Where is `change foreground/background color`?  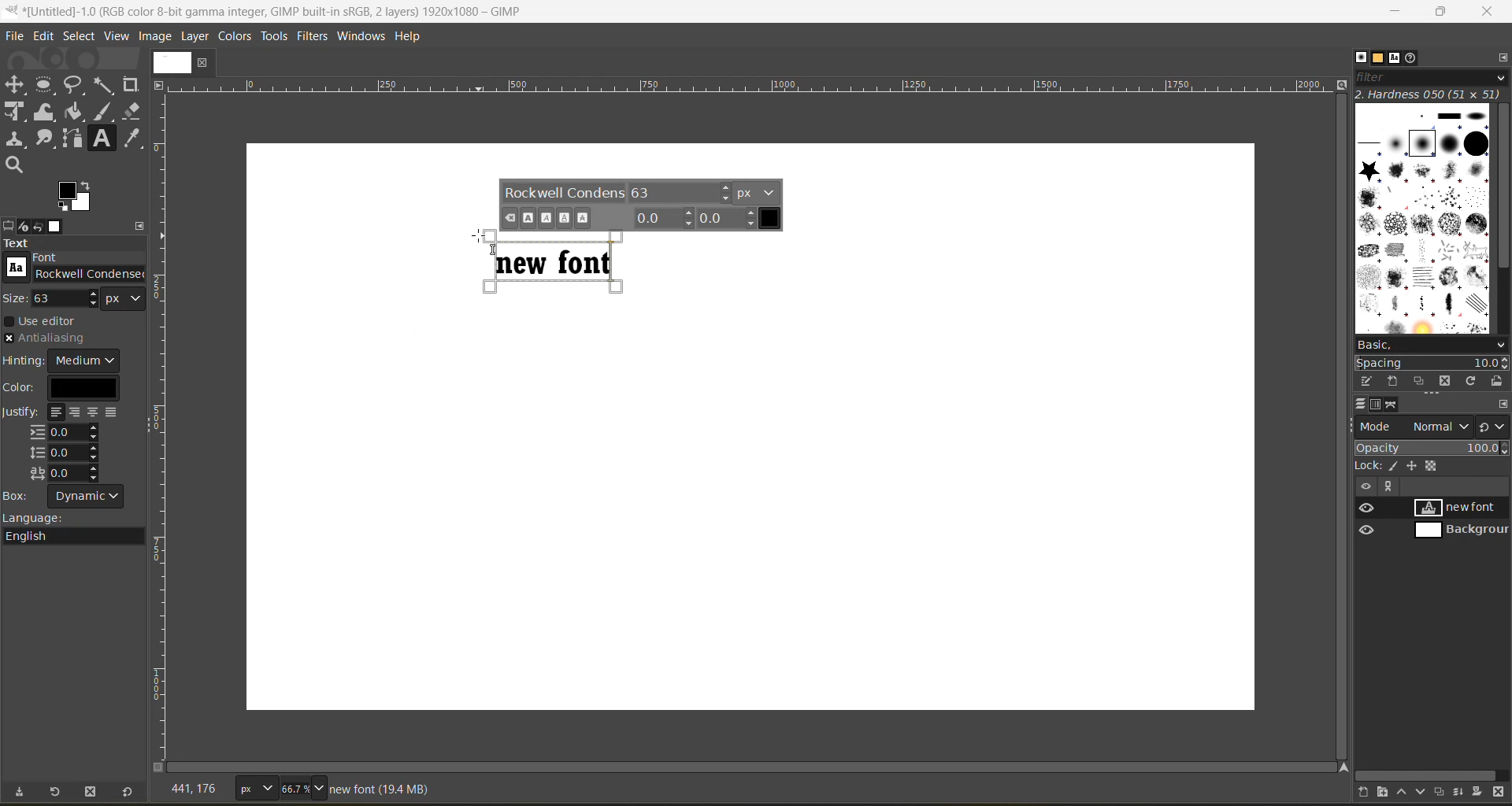
change foreground/background color is located at coordinates (76, 198).